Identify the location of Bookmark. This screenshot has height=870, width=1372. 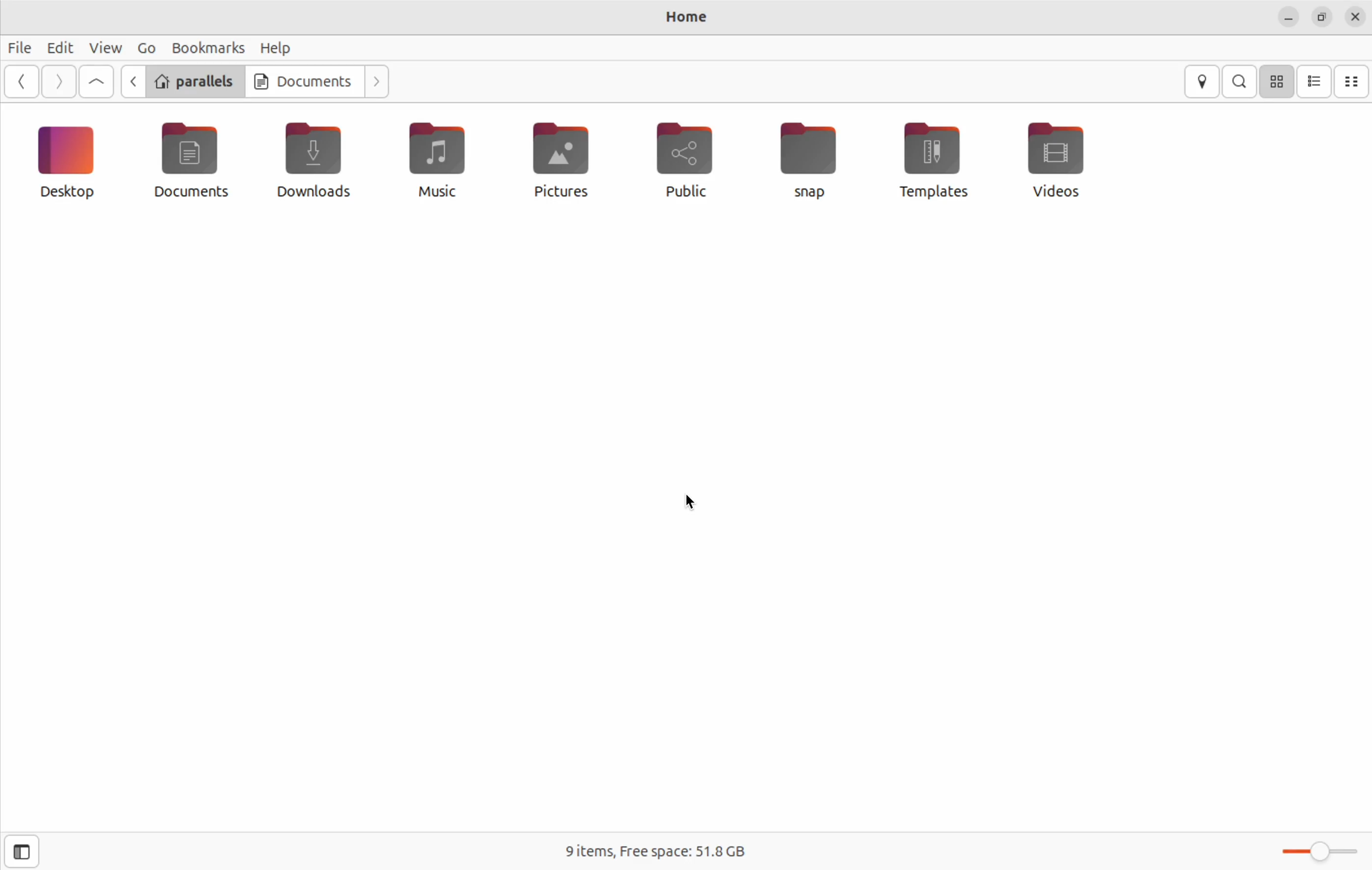
(209, 47).